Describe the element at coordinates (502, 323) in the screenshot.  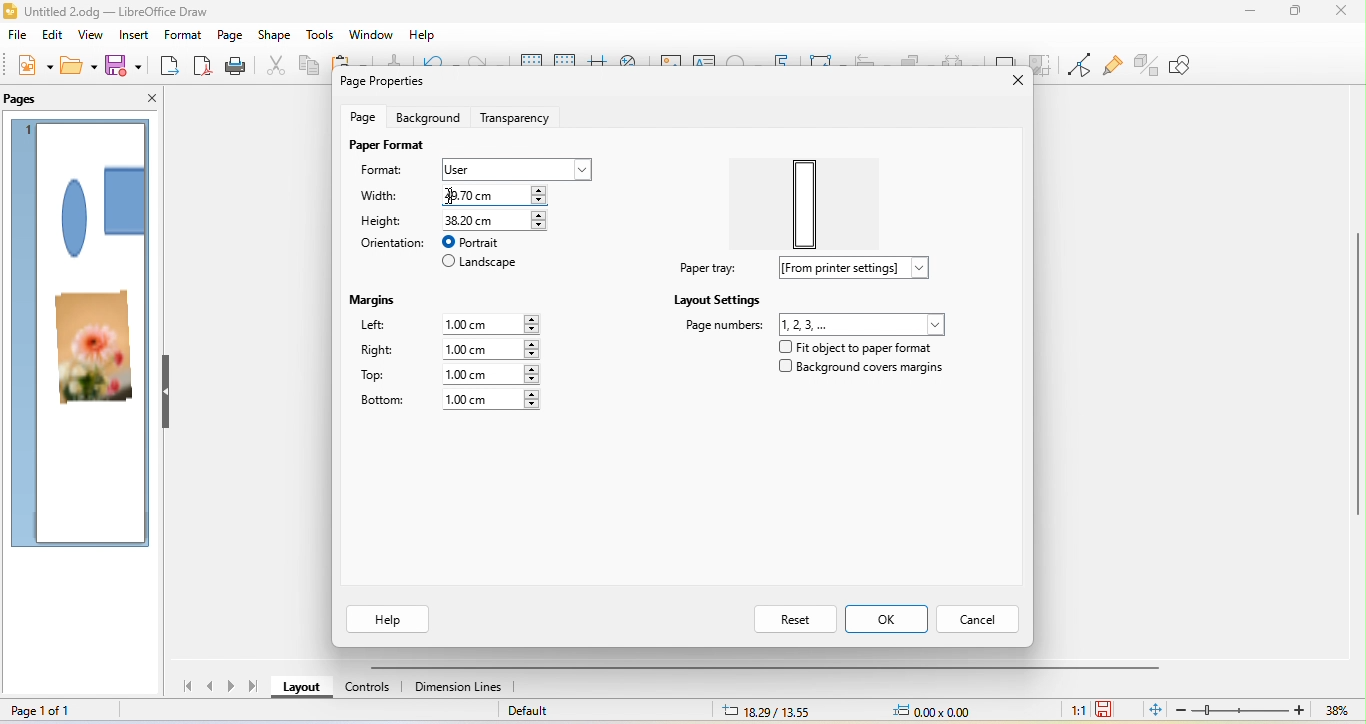
I see `1.00 cm` at that location.